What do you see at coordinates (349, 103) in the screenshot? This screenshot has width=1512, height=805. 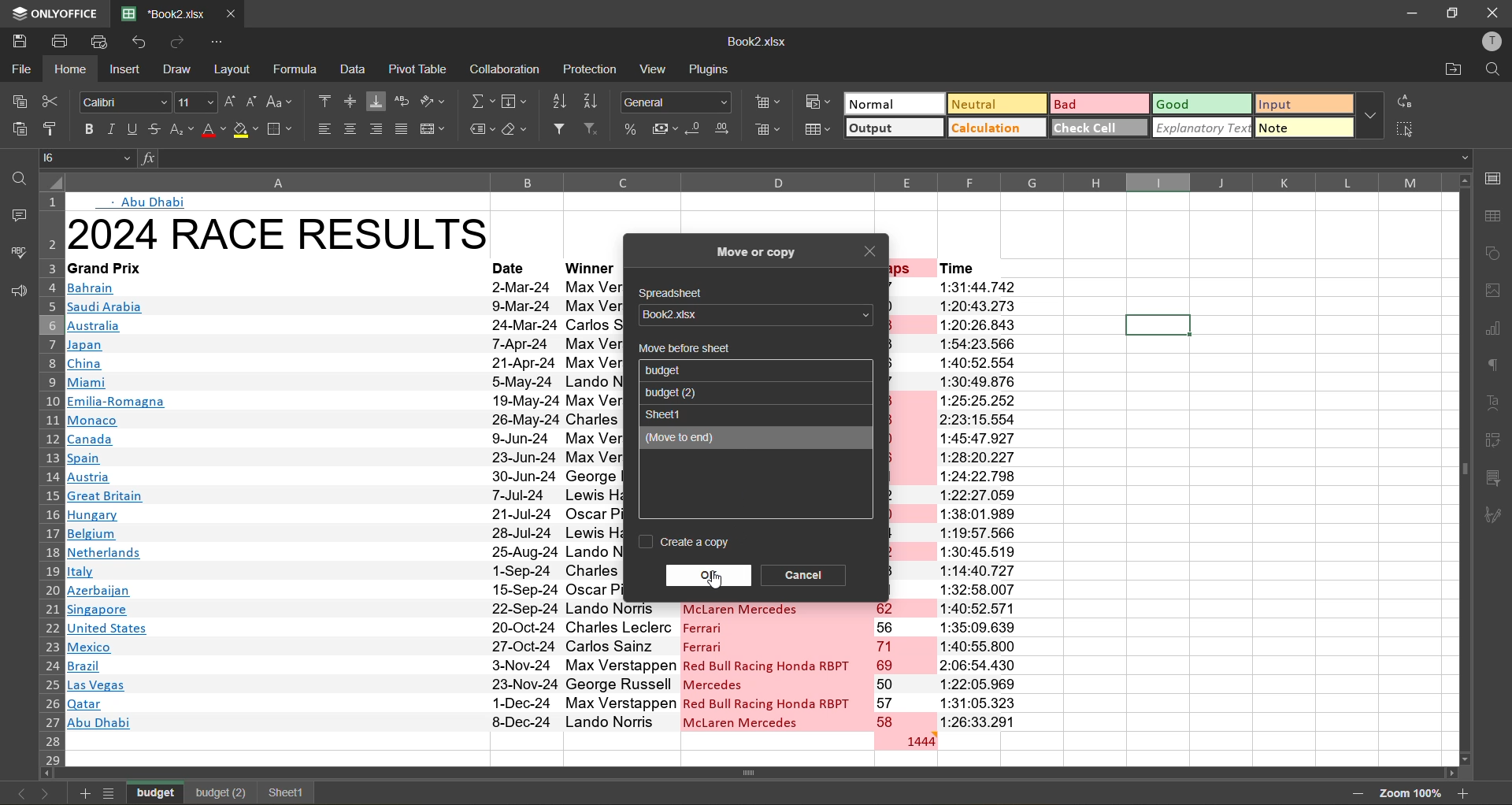 I see `align middle` at bounding box center [349, 103].